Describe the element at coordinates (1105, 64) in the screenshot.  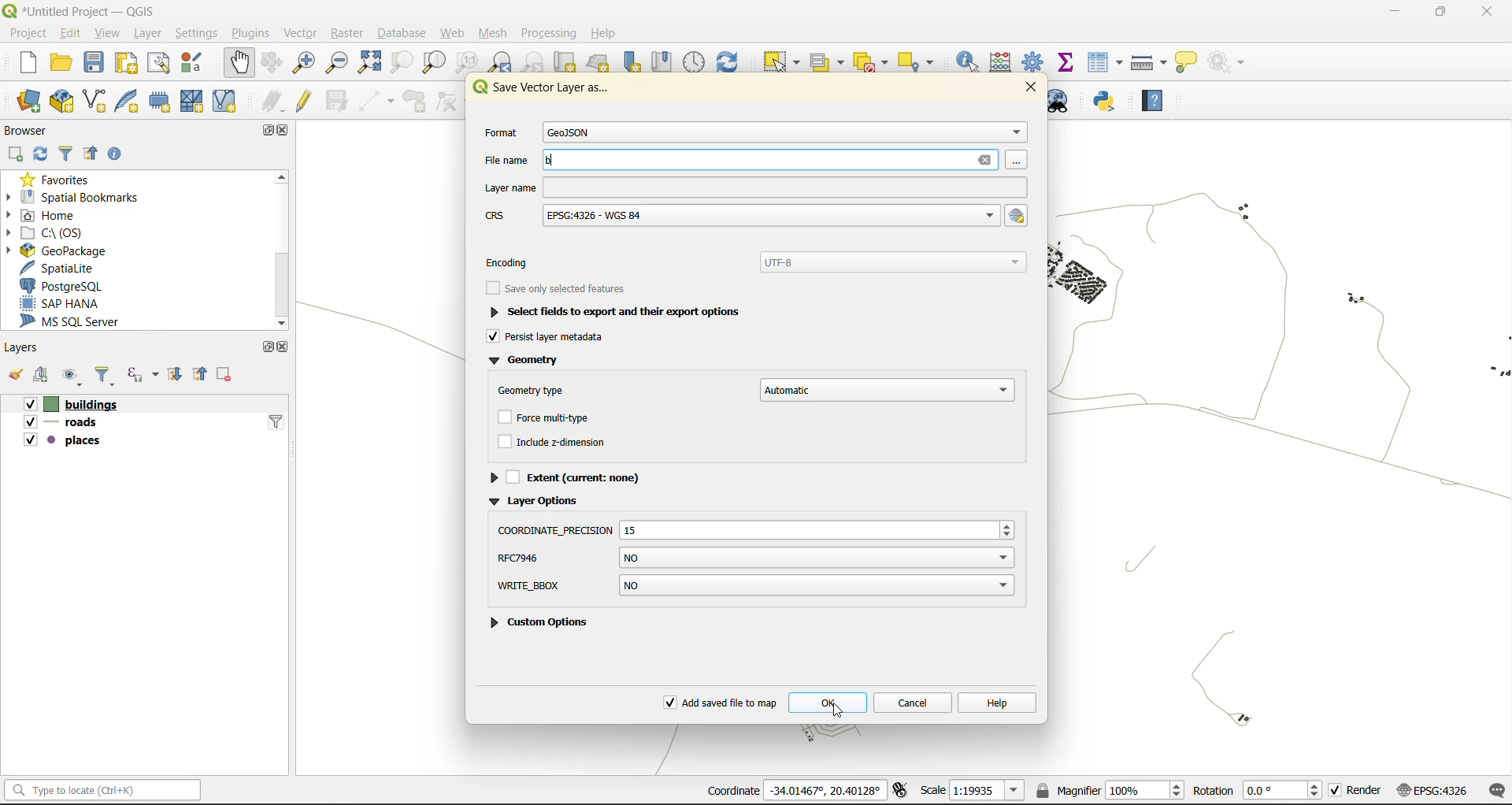
I see `attributes table` at that location.